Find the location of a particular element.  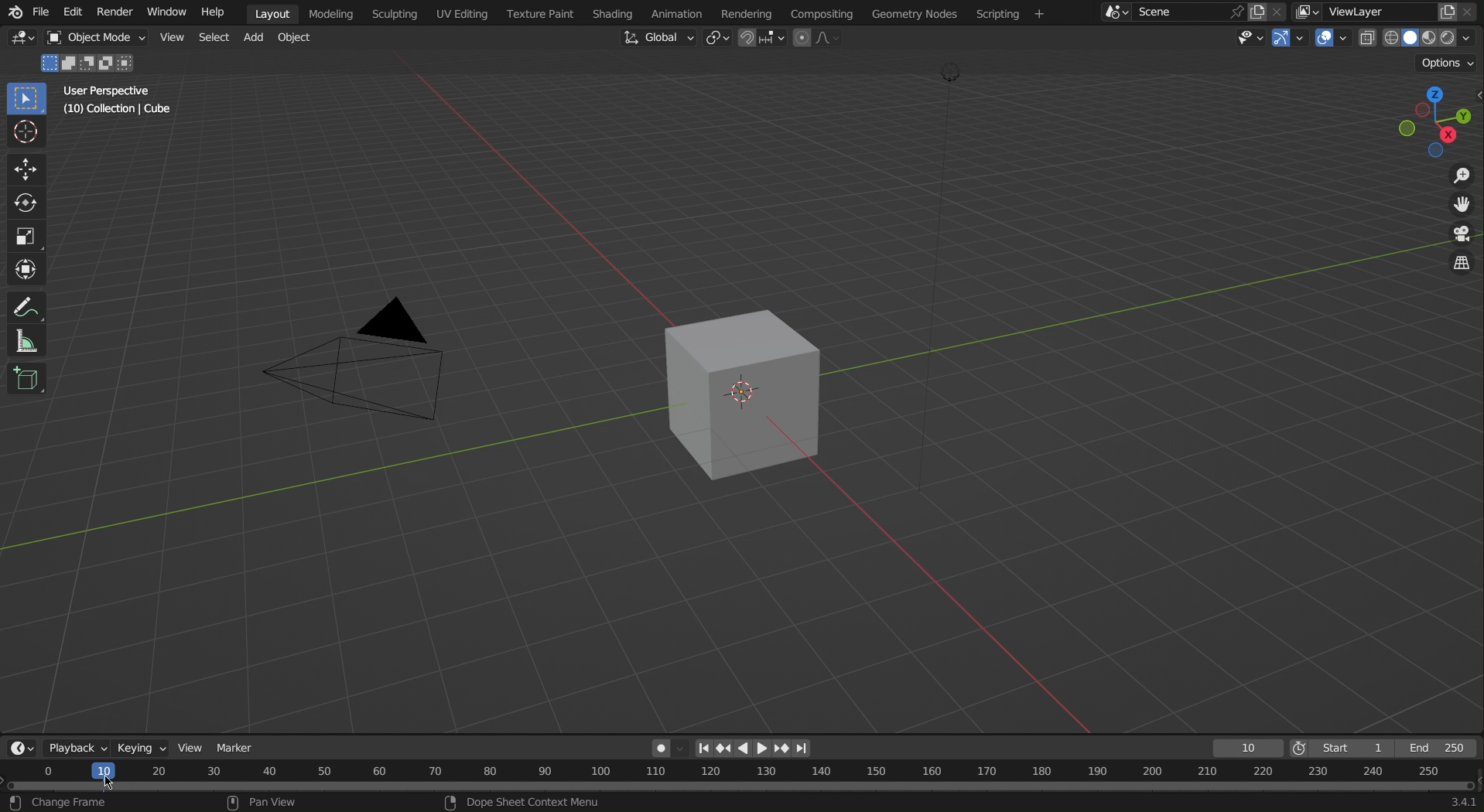

File is located at coordinates (46, 12).